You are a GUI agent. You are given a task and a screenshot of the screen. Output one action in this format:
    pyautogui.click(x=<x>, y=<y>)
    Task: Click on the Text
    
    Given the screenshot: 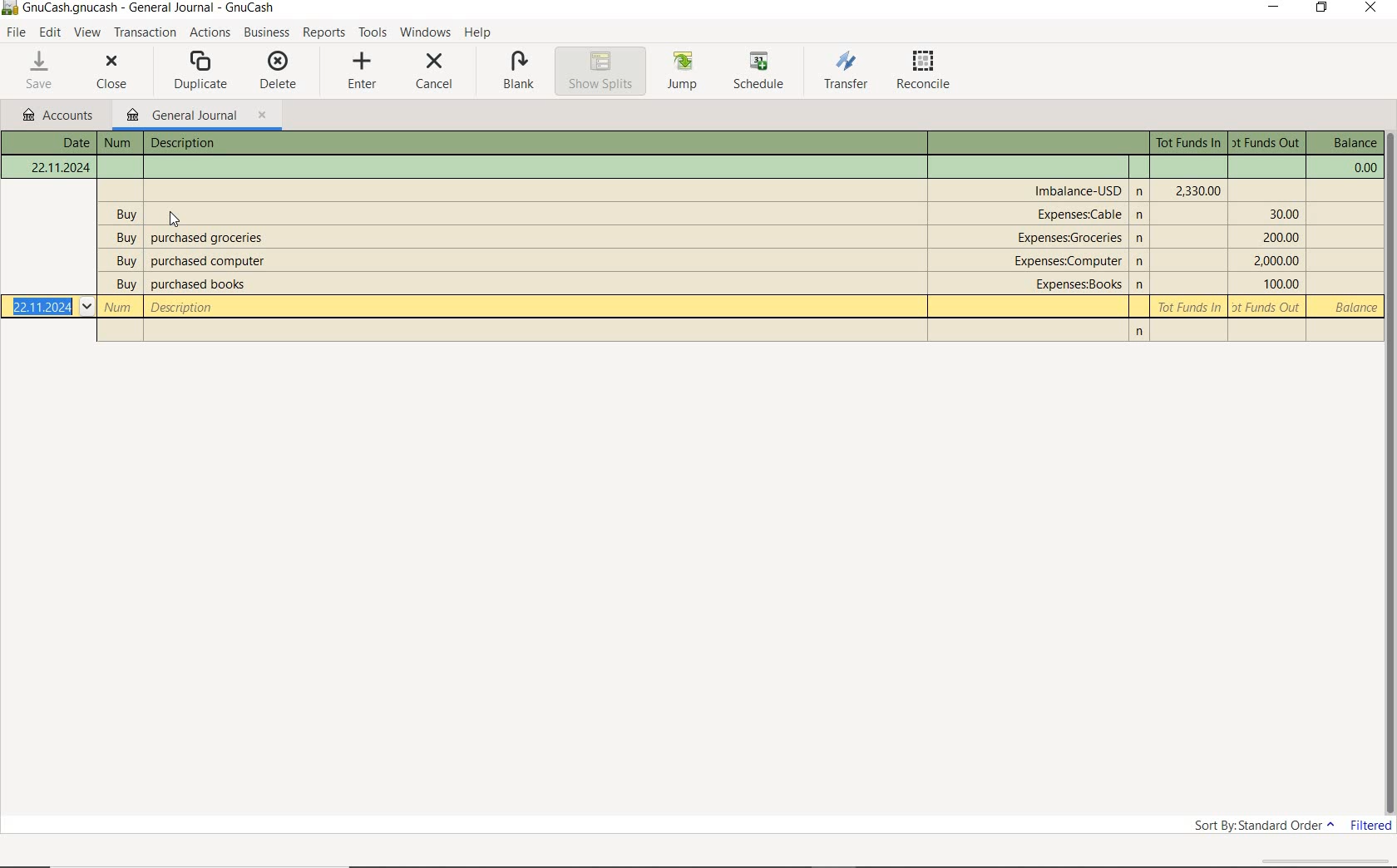 What is the action you would take?
    pyautogui.click(x=1187, y=143)
    